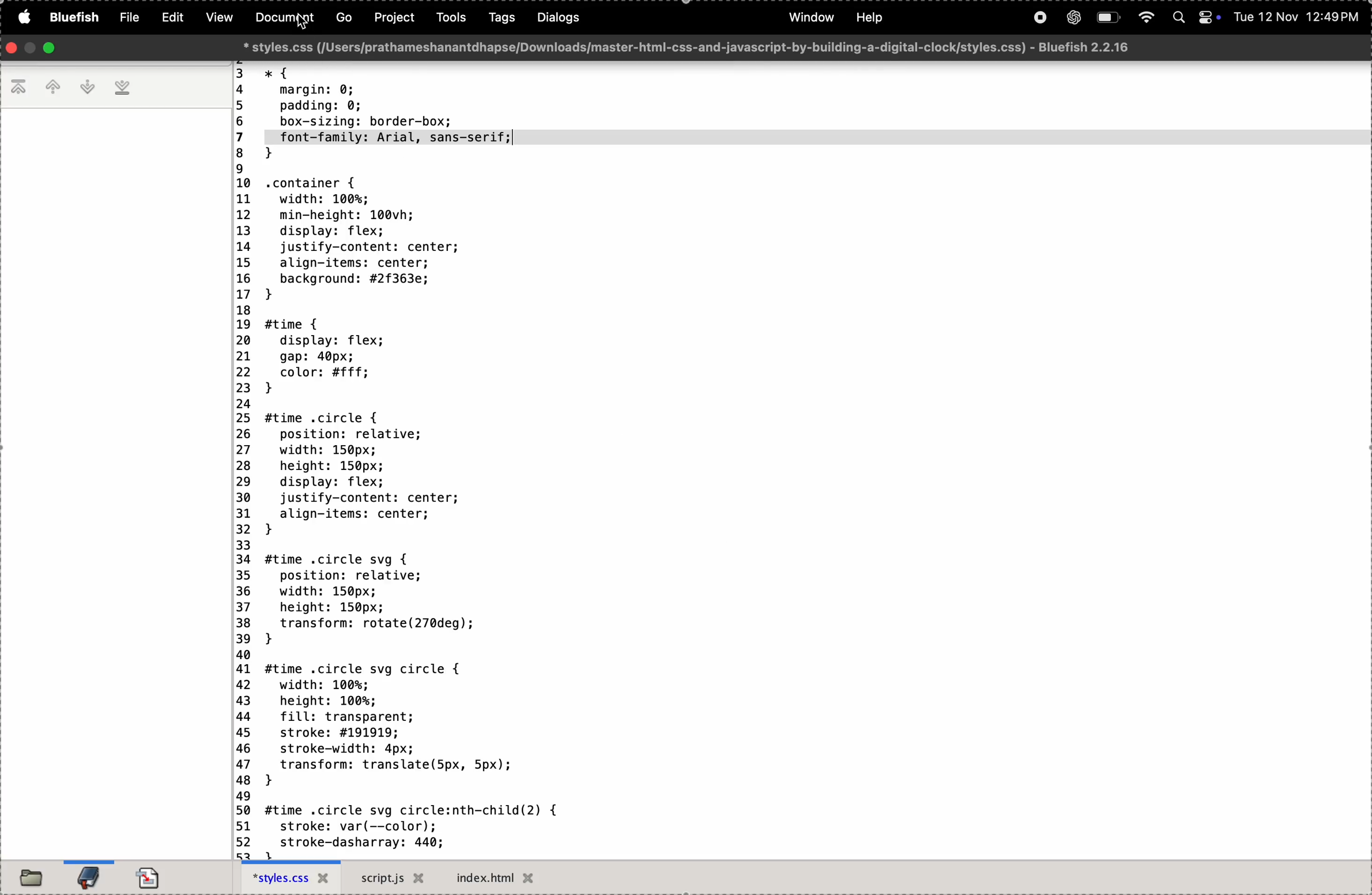 The height and width of the screenshot is (895, 1372). I want to click on view, so click(220, 17).